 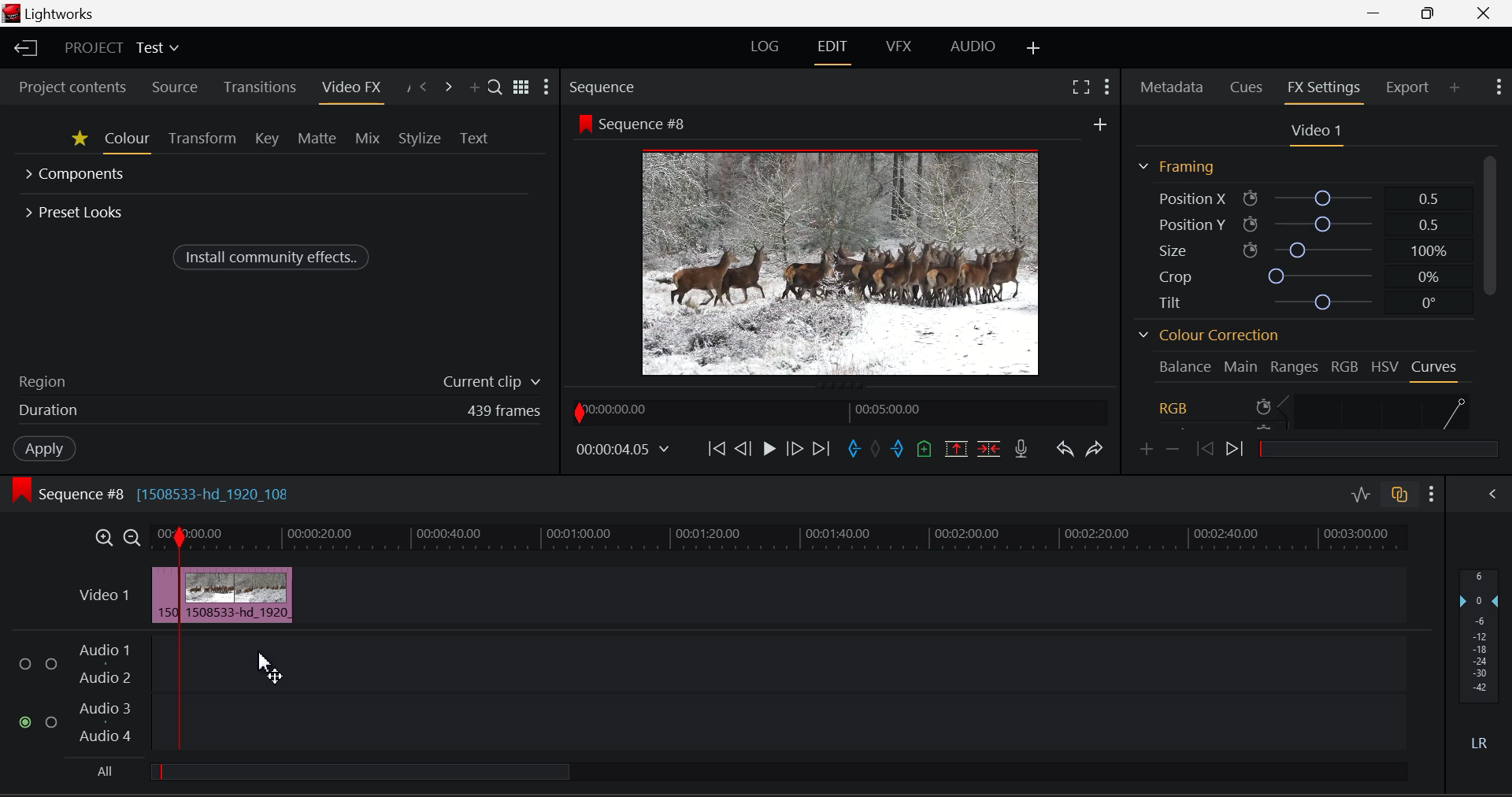 What do you see at coordinates (625, 451) in the screenshot?
I see `Frame time` at bounding box center [625, 451].